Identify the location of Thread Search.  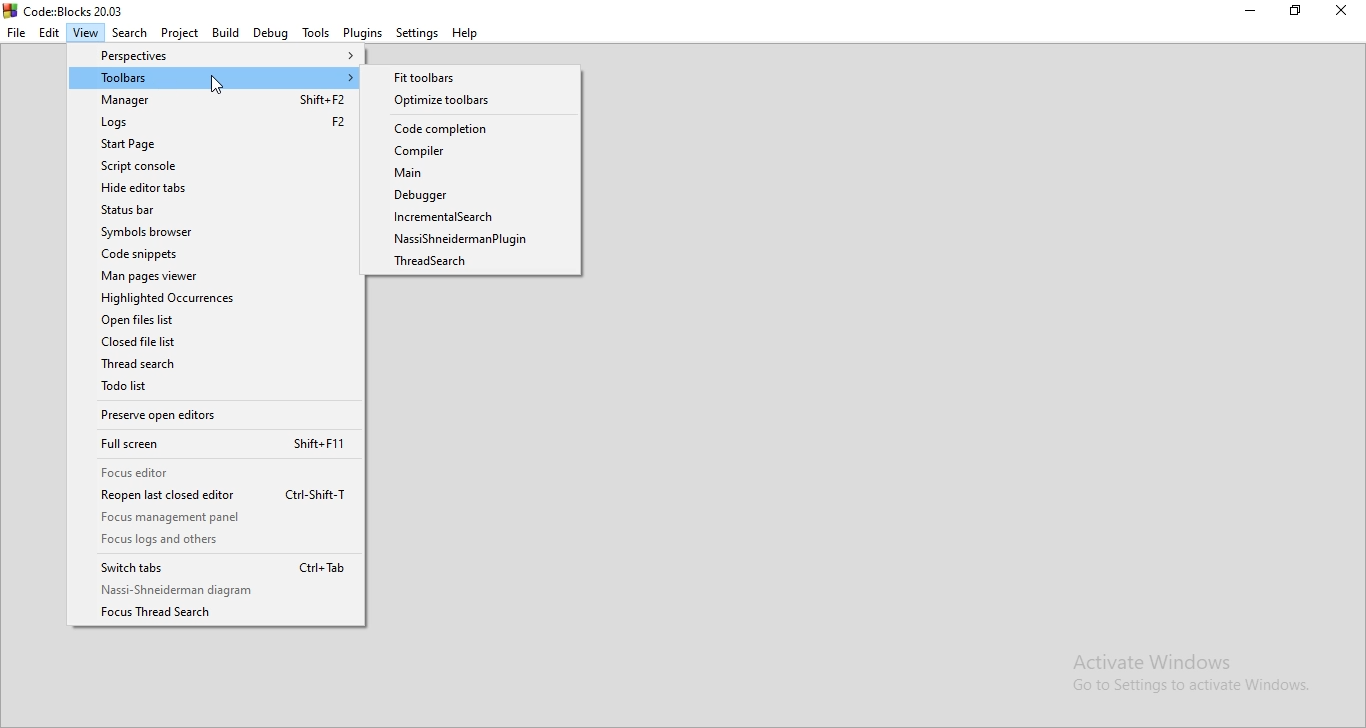
(221, 367).